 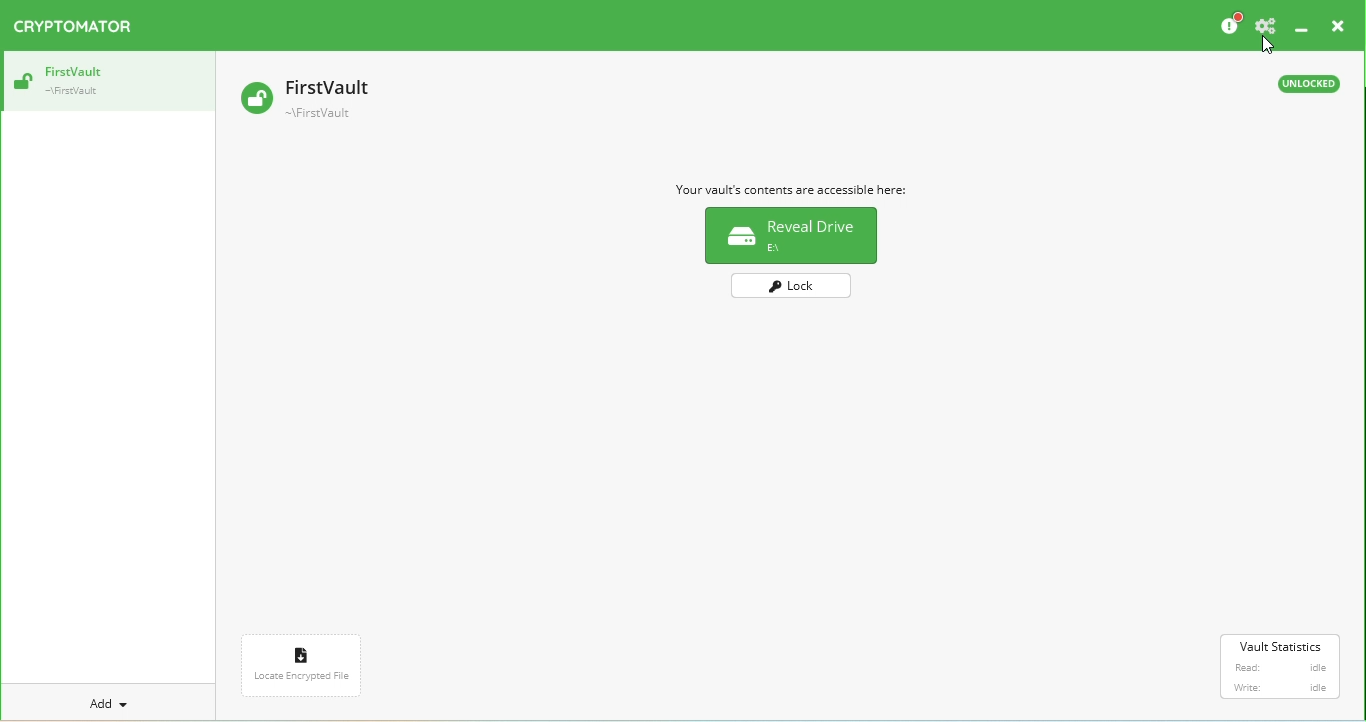 What do you see at coordinates (779, 191) in the screenshot?
I see `Vault information` at bounding box center [779, 191].